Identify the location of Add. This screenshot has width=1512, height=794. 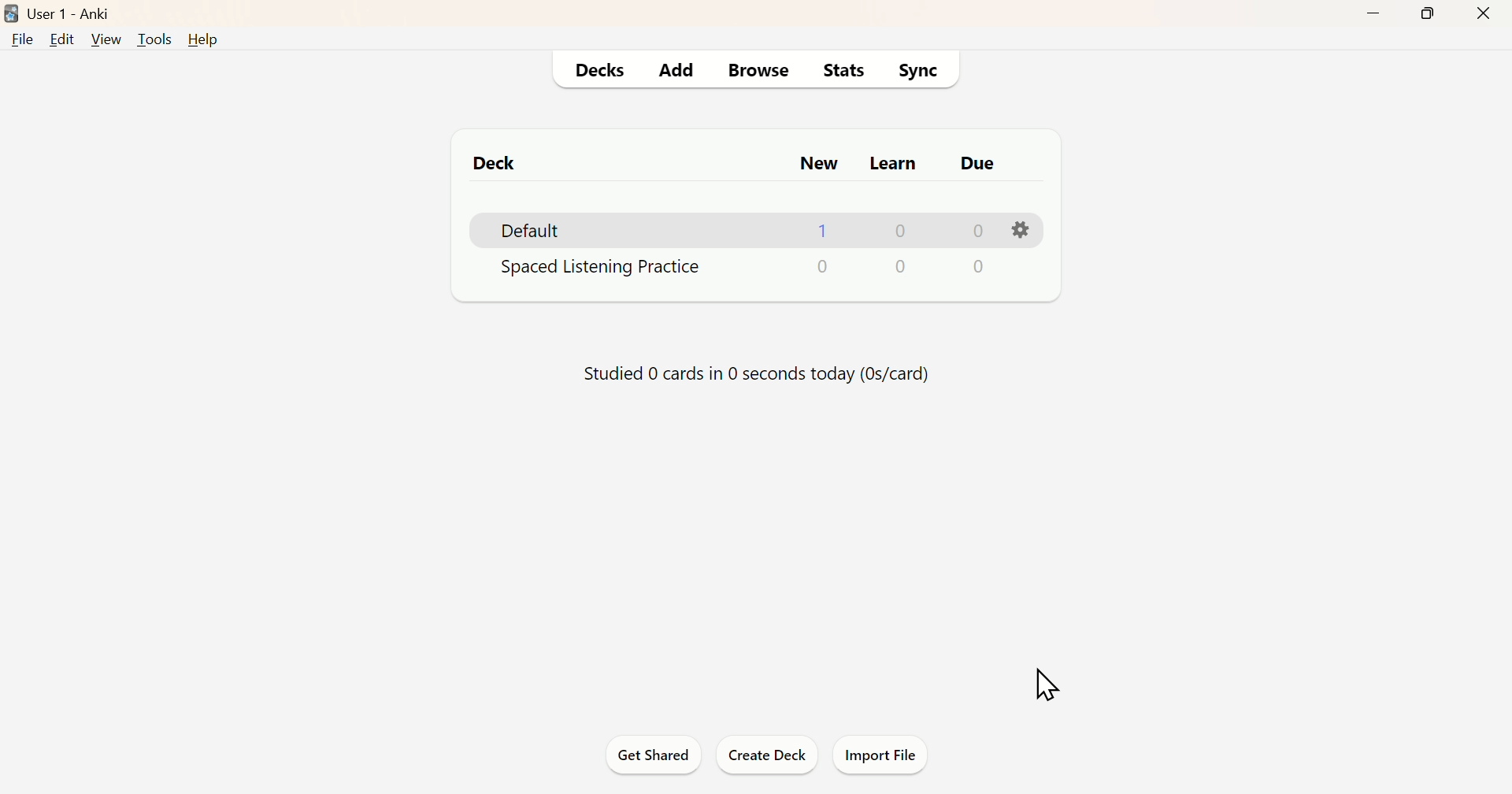
(680, 67).